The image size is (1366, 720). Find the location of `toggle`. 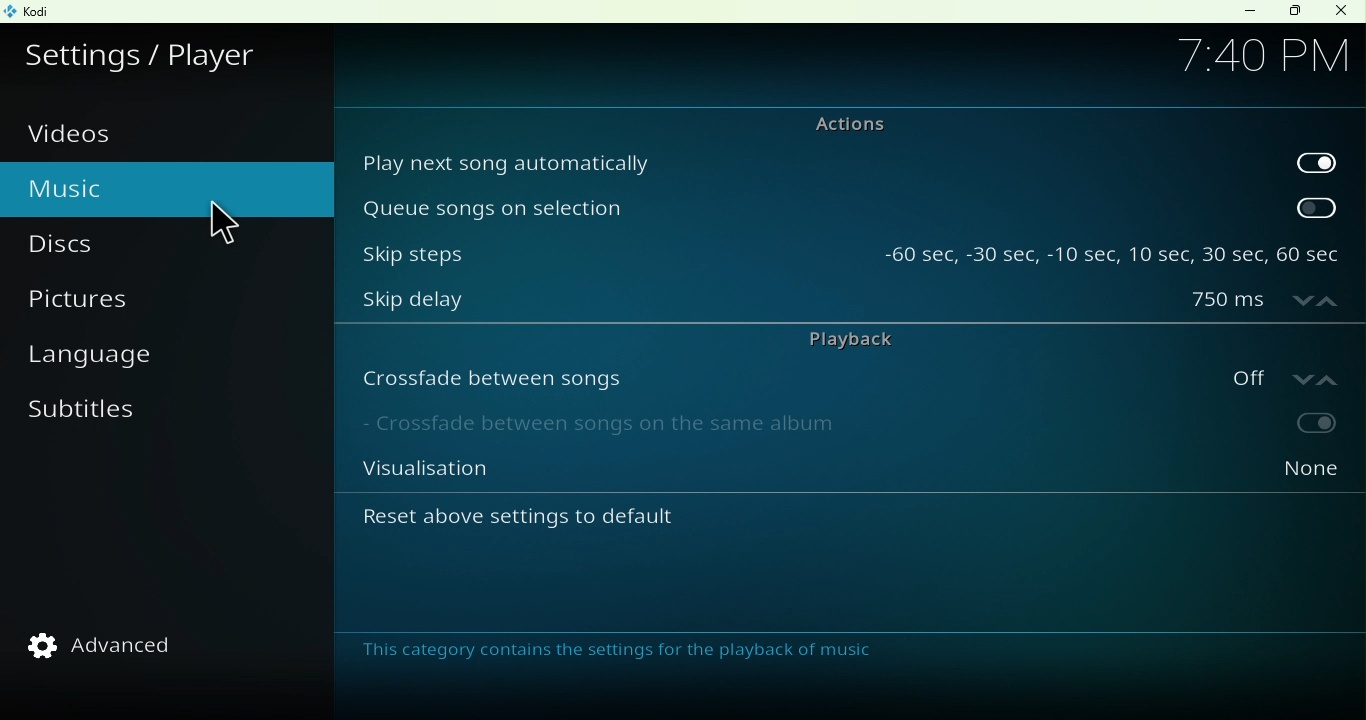

toggle is located at coordinates (1316, 160).